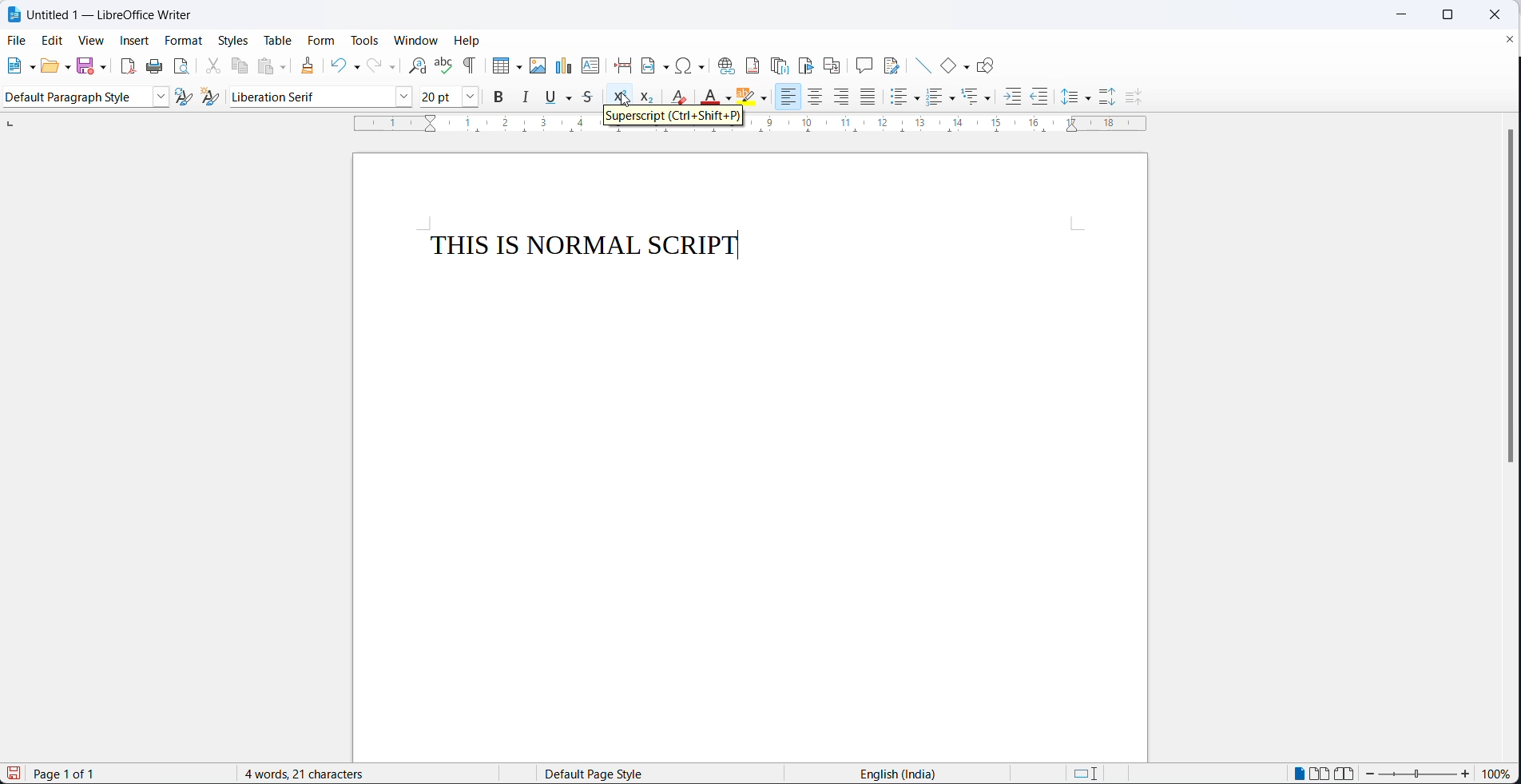 The width and height of the screenshot is (1521, 784). I want to click on decrease indent, so click(1041, 97).